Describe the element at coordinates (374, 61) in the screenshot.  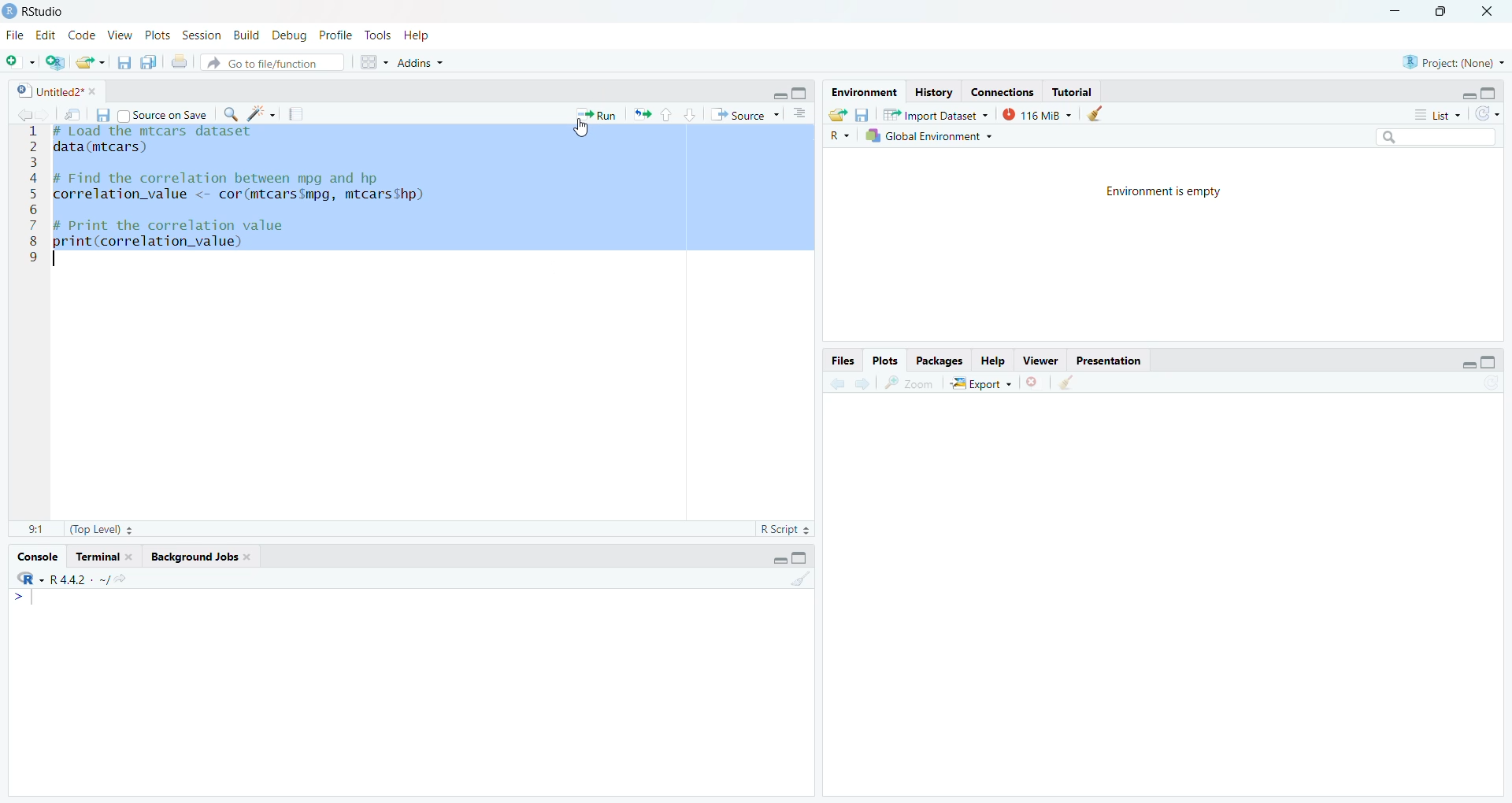
I see `Workspace panes` at that location.